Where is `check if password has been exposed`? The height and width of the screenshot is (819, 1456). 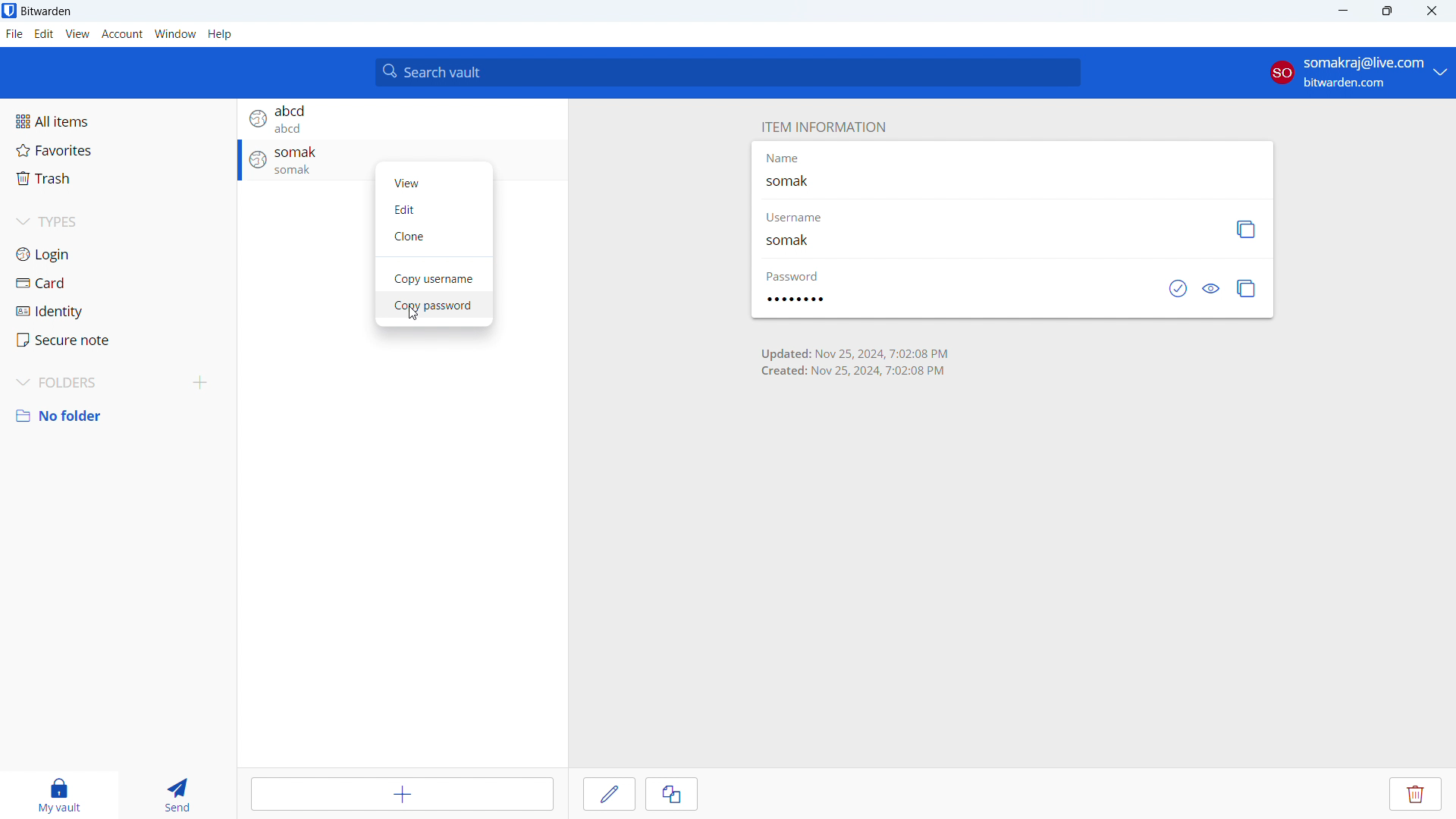 check if password has been exposed is located at coordinates (1178, 288).